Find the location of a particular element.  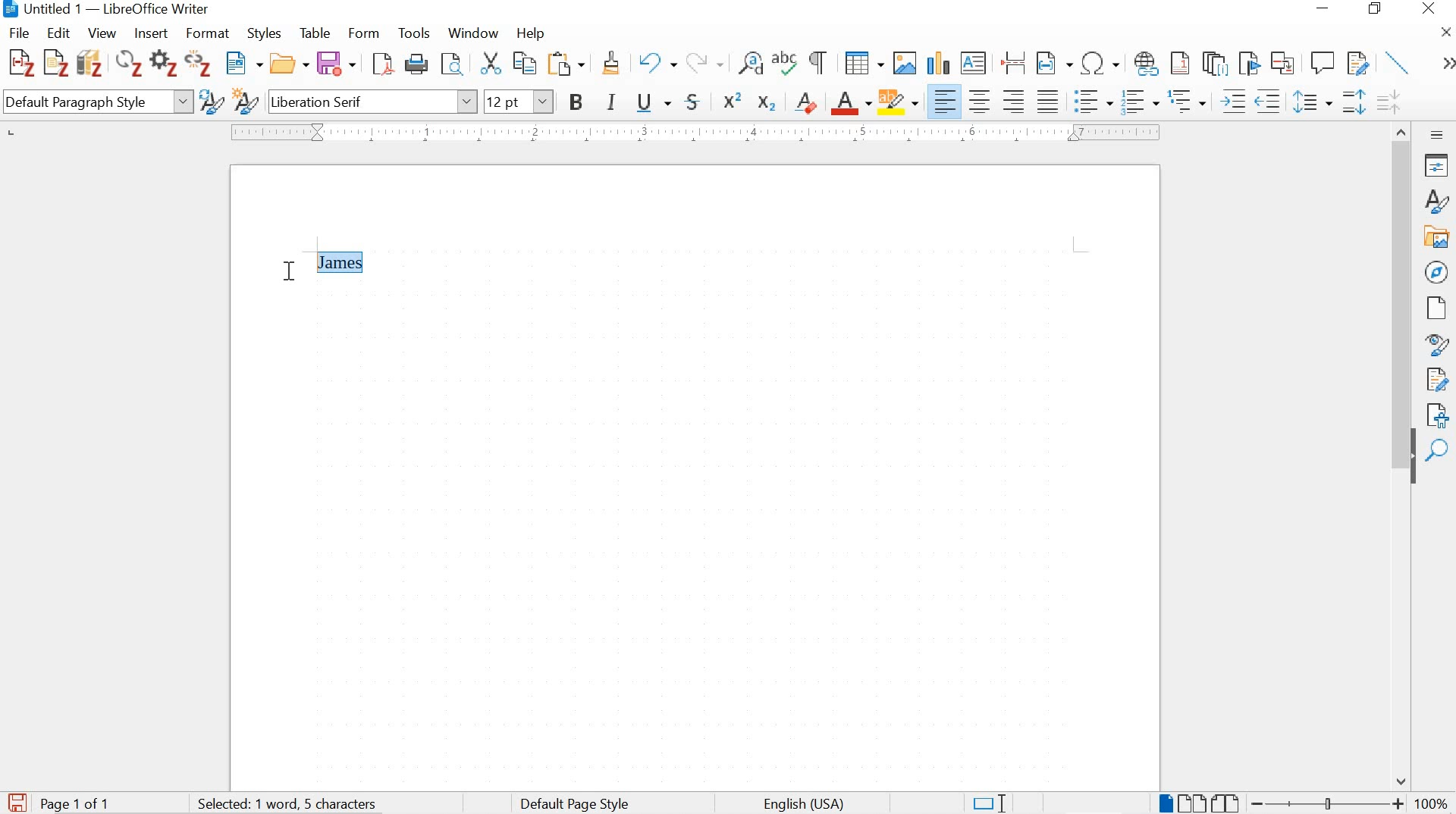

insert cross-reference is located at coordinates (1284, 62).